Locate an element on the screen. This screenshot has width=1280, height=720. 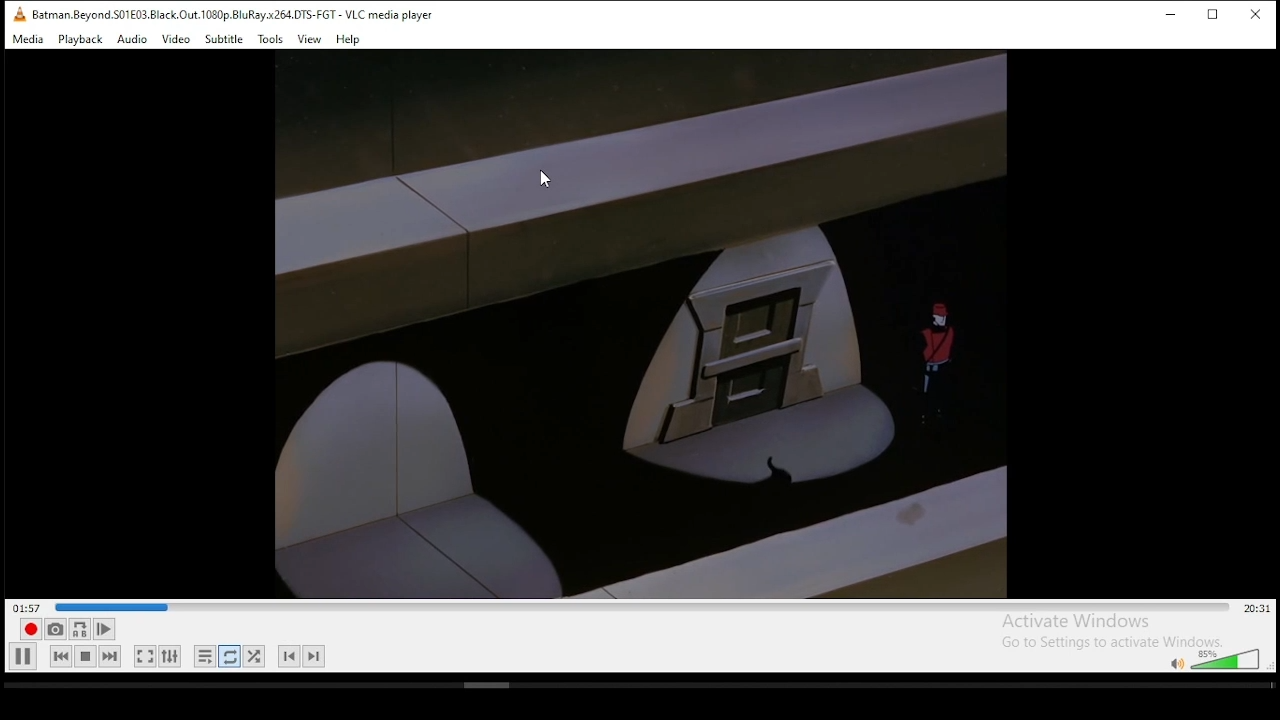
help is located at coordinates (349, 40).